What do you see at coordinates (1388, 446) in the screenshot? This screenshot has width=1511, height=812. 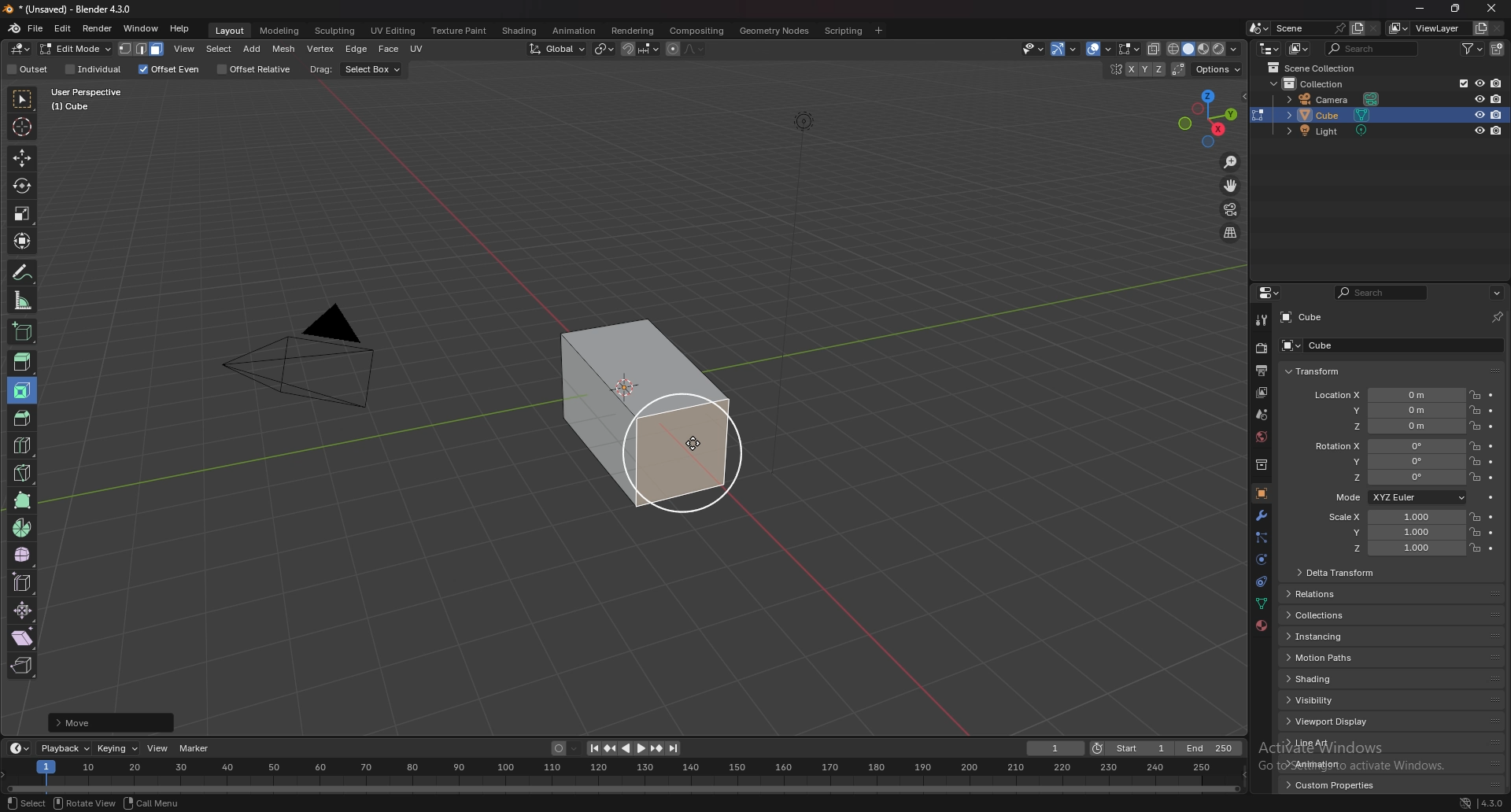 I see `rotation x` at bounding box center [1388, 446].